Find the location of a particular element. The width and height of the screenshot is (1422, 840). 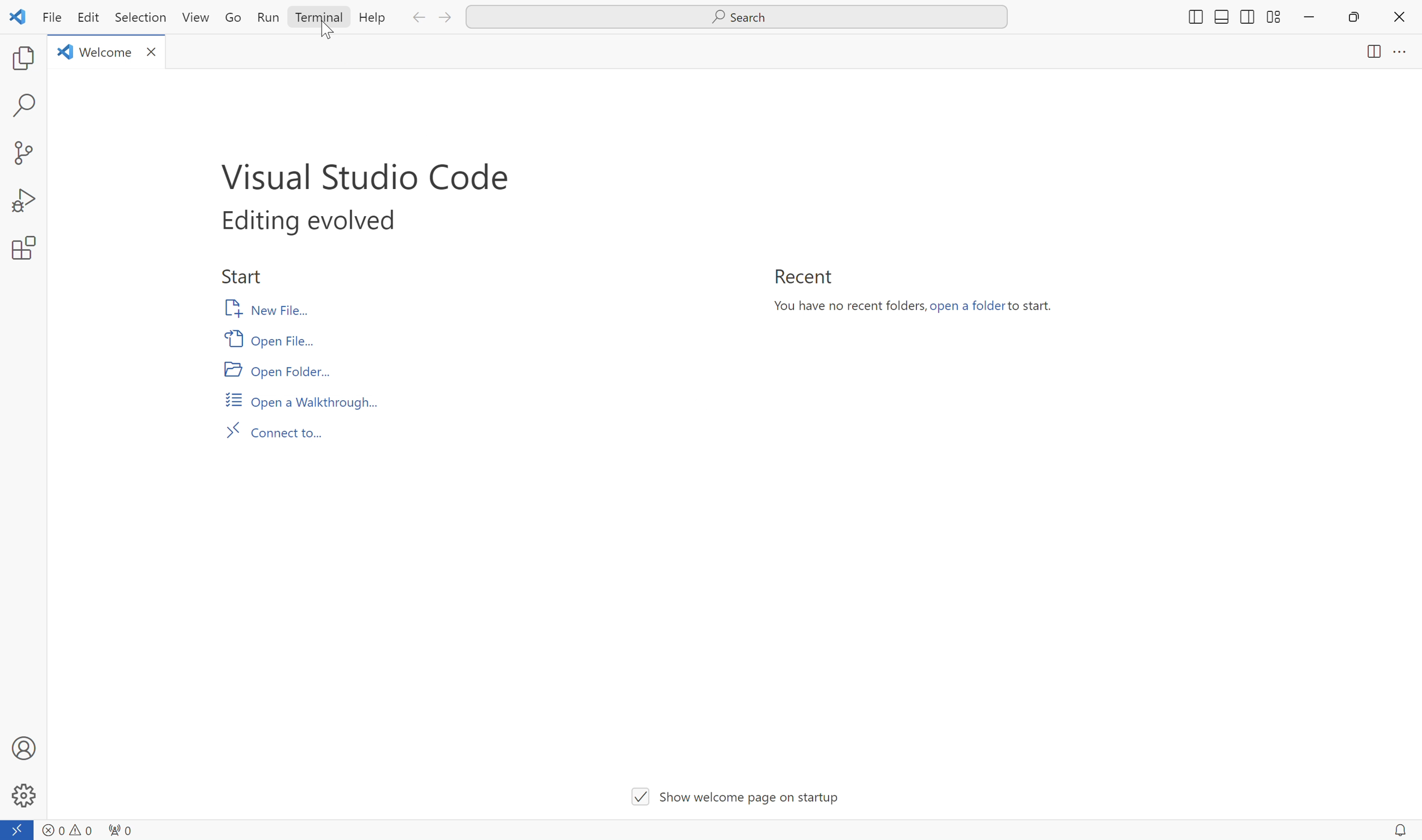

run and debug is located at coordinates (22, 201).